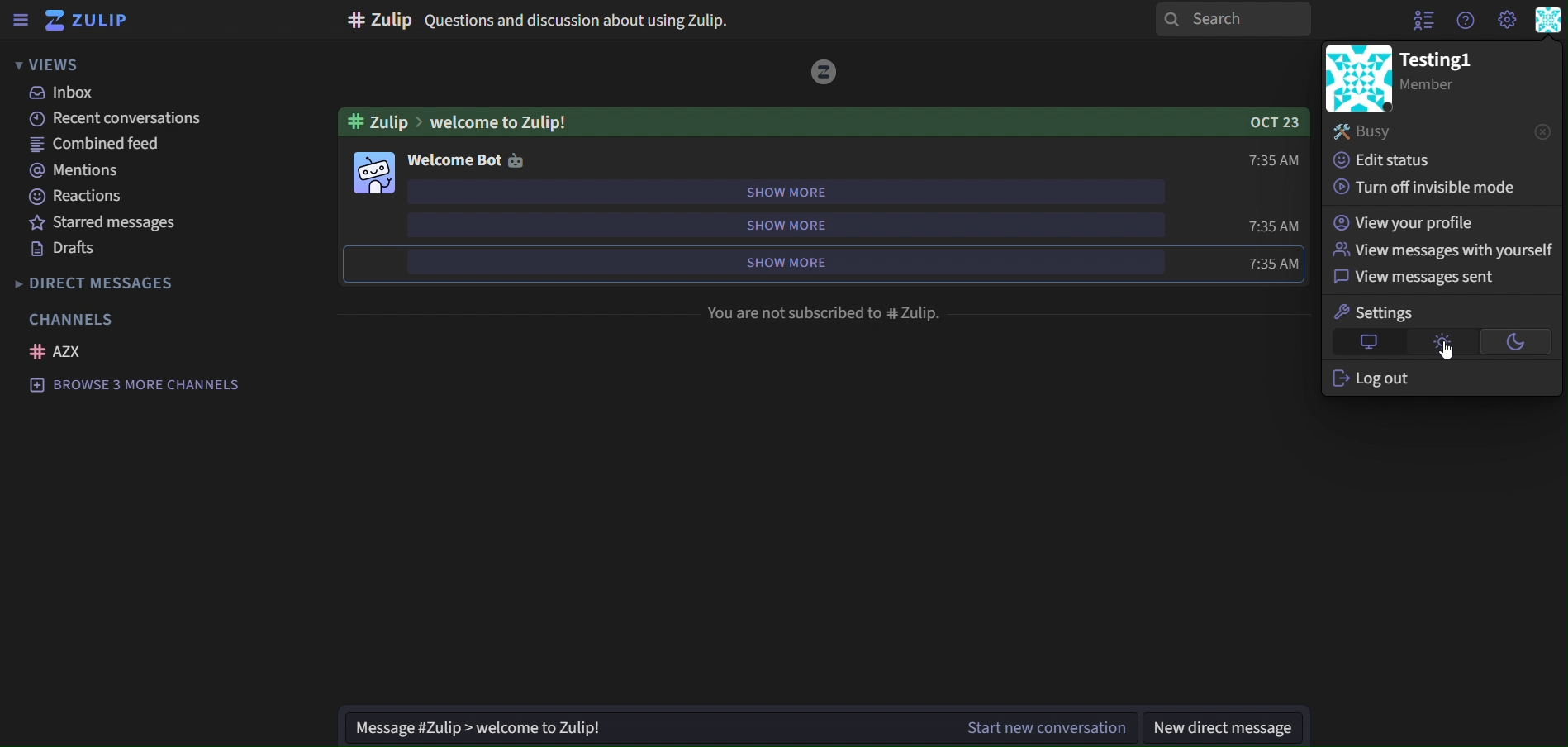 The height and width of the screenshot is (747, 1568). I want to click on inbox, so click(64, 95).